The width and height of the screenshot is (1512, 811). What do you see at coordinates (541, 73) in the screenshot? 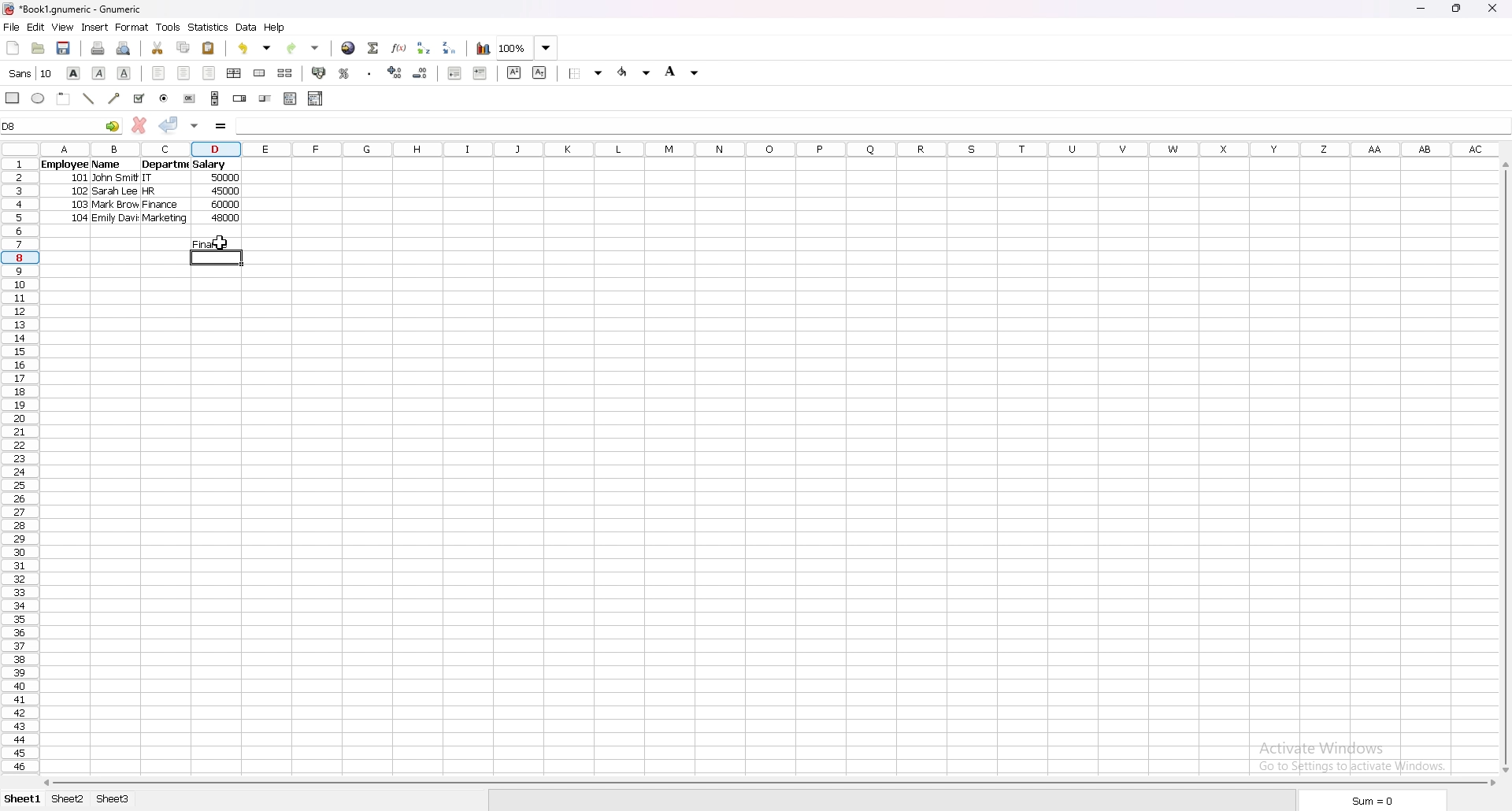
I see `subscript` at bounding box center [541, 73].